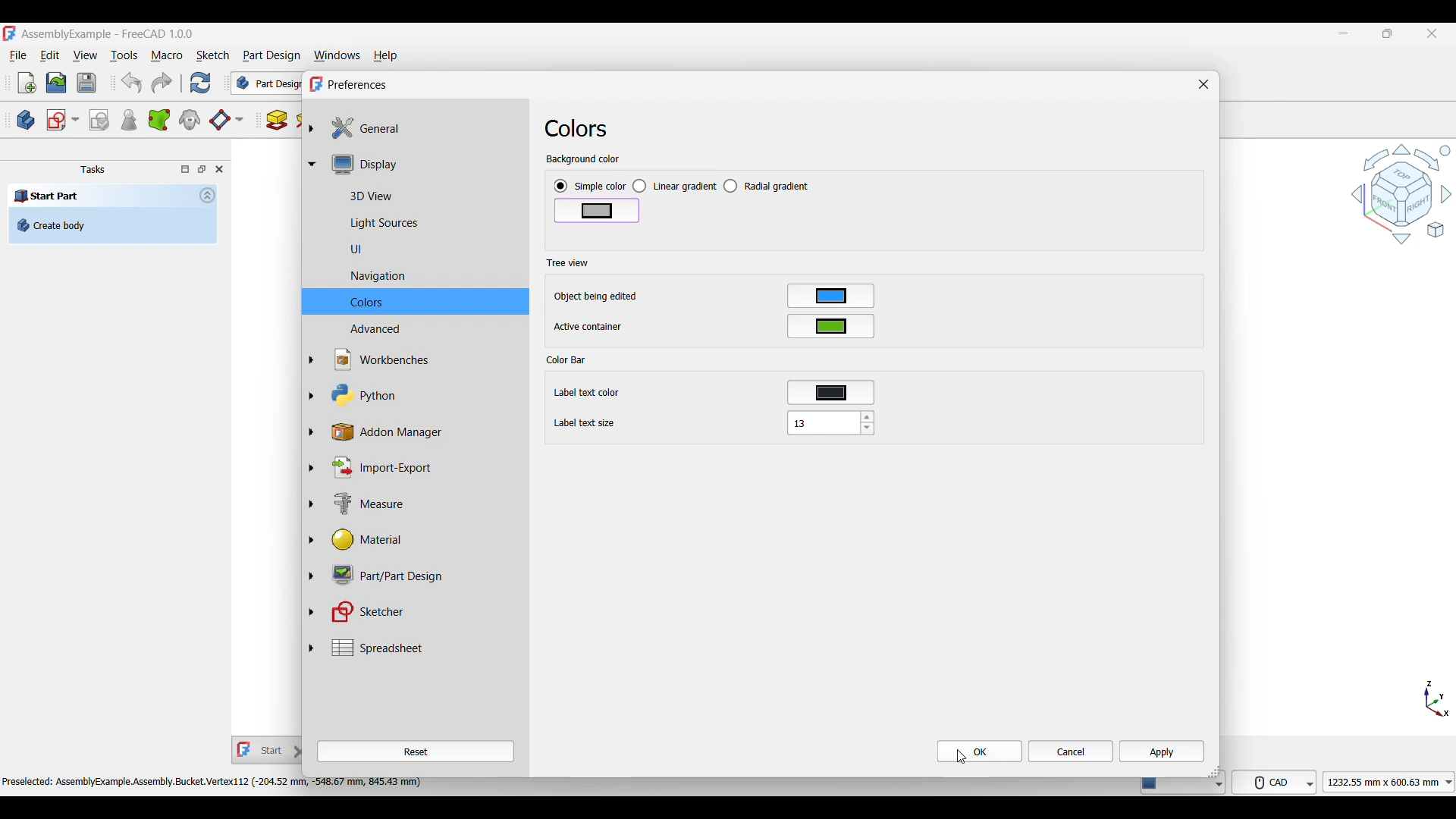 Image resolution: width=1456 pixels, height=819 pixels. I want to click on Validate sketch, so click(99, 121).